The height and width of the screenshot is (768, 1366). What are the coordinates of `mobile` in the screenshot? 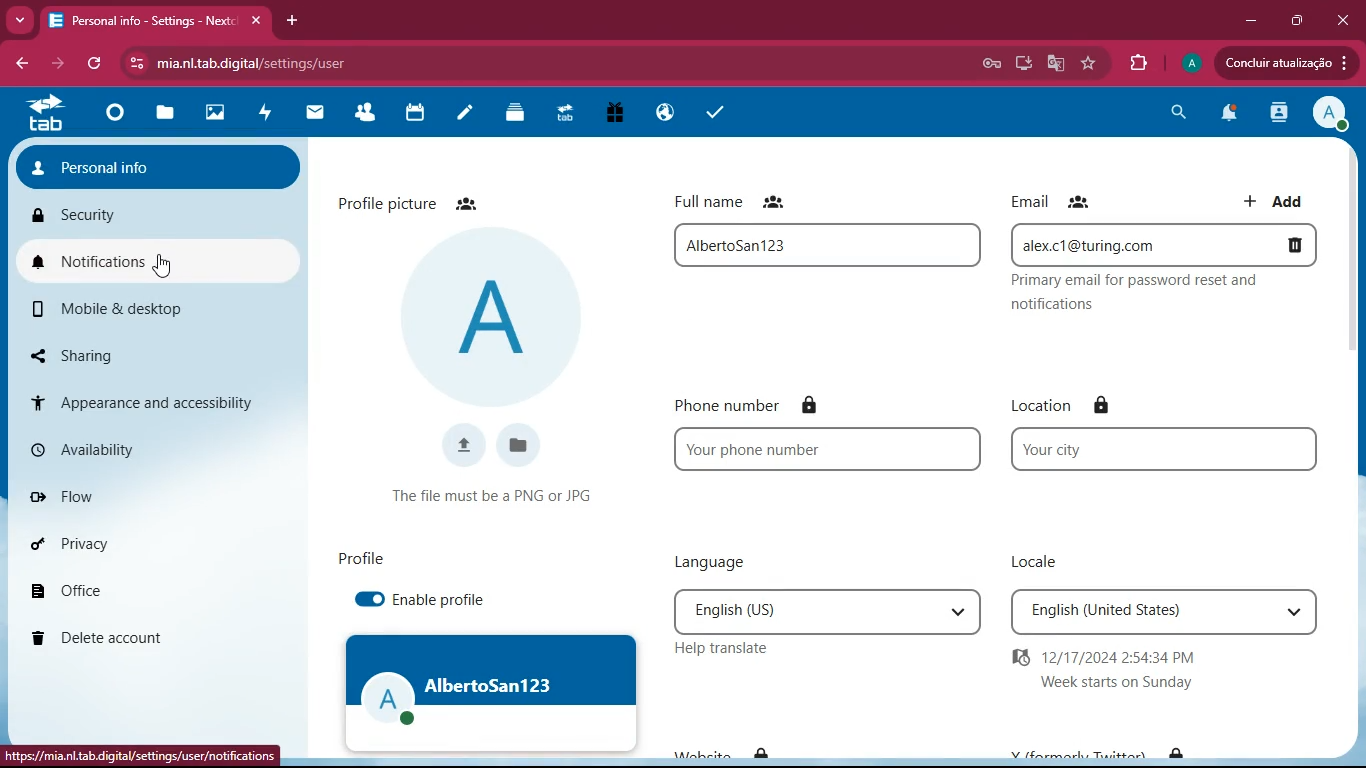 It's located at (129, 306).